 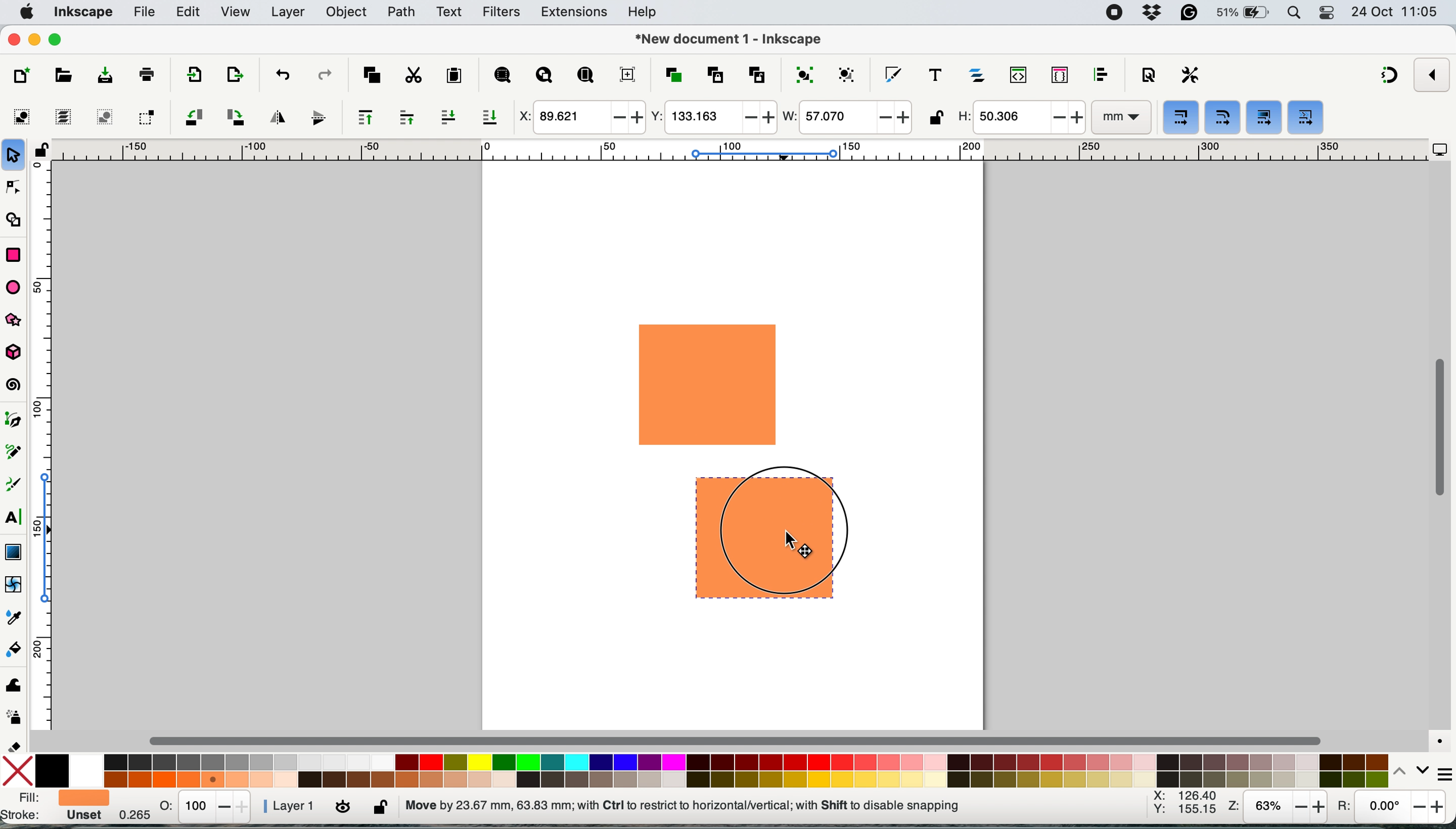 I want to click on text tool, so click(x=14, y=518).